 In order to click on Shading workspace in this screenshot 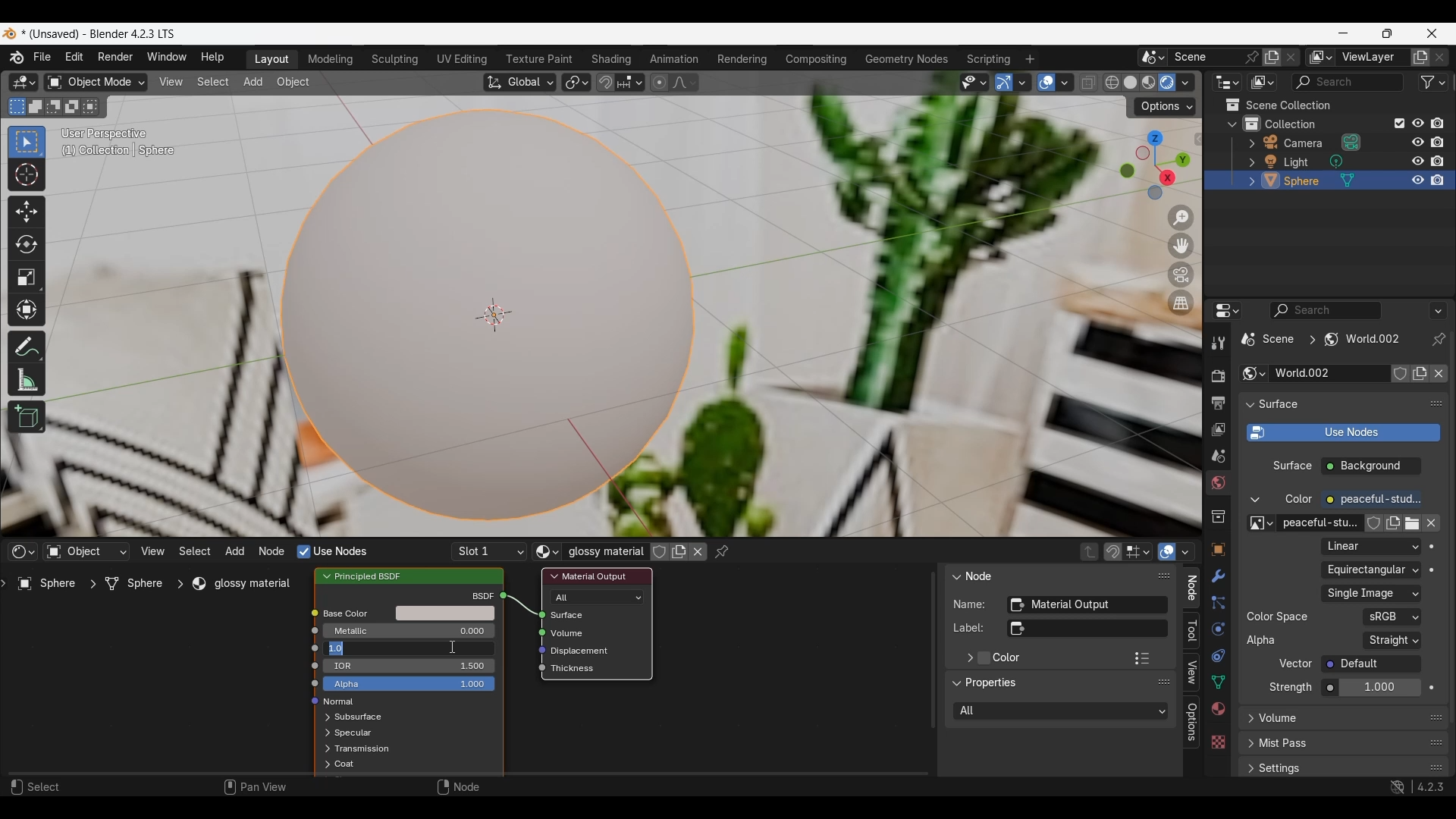, I will do `click(611, 60)`.